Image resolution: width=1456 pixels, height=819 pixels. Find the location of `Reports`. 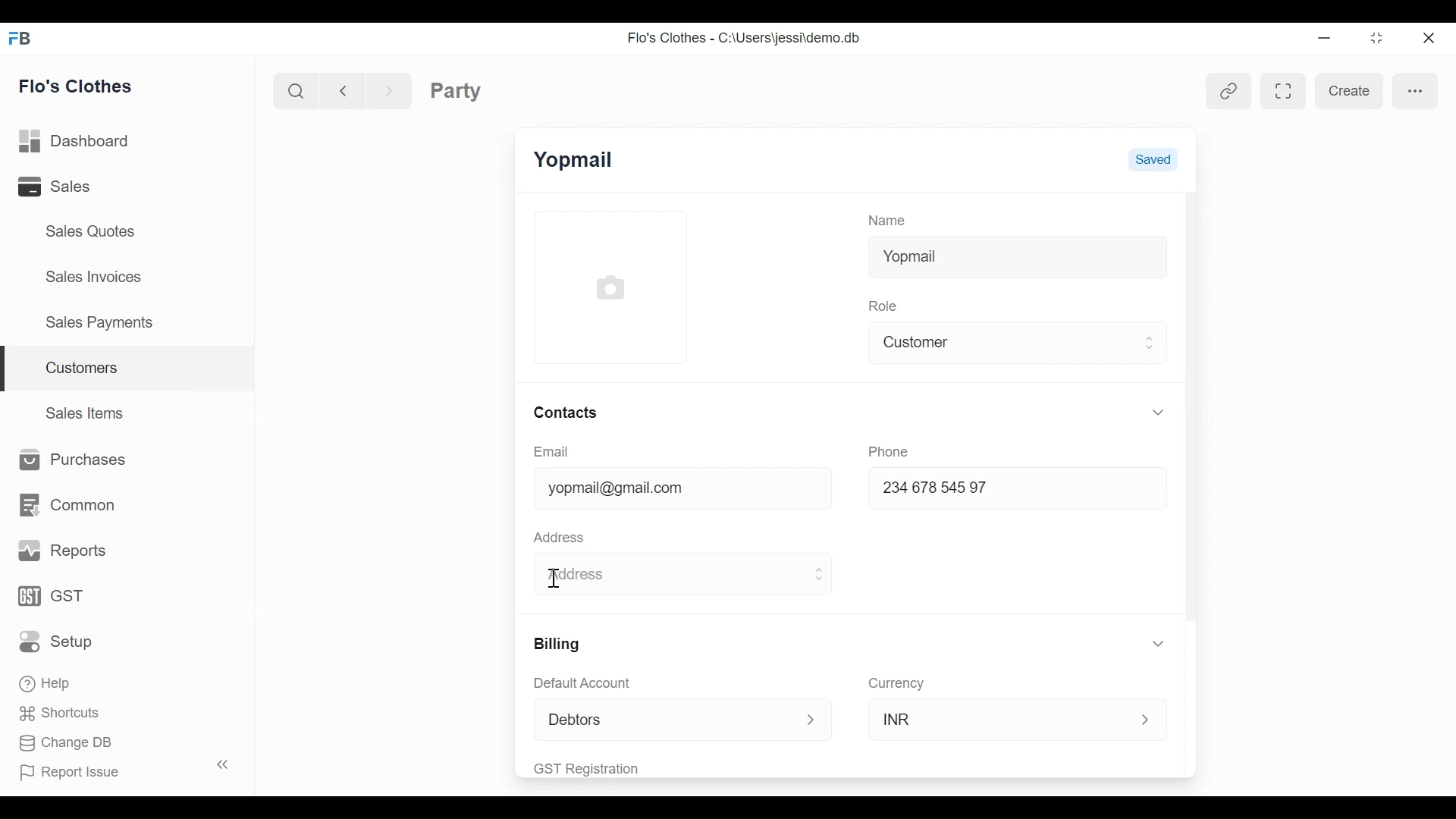

Reports is located at coordinates (64, 551).